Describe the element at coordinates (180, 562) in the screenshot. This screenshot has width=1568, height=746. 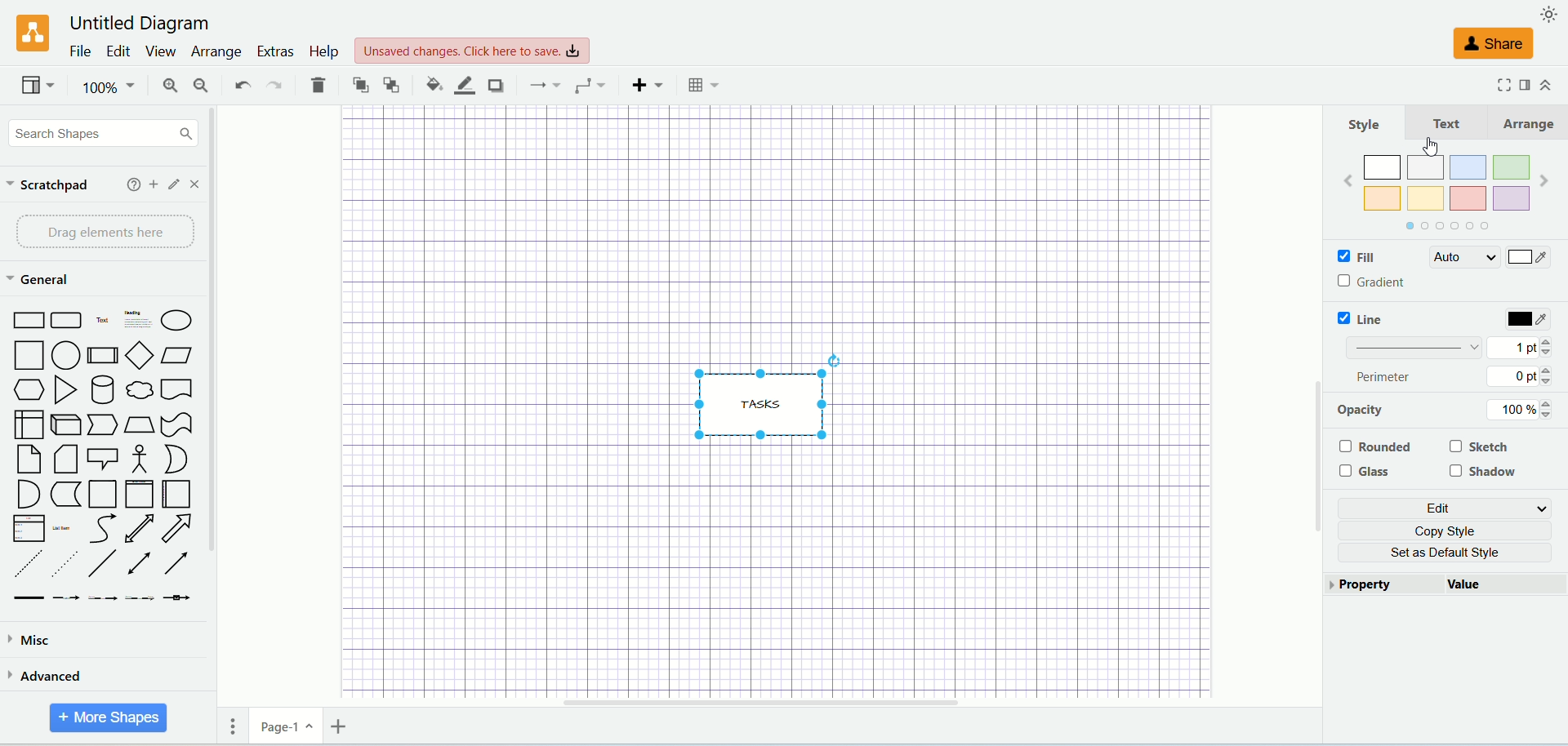
I see `Directional Arrow` at that location.